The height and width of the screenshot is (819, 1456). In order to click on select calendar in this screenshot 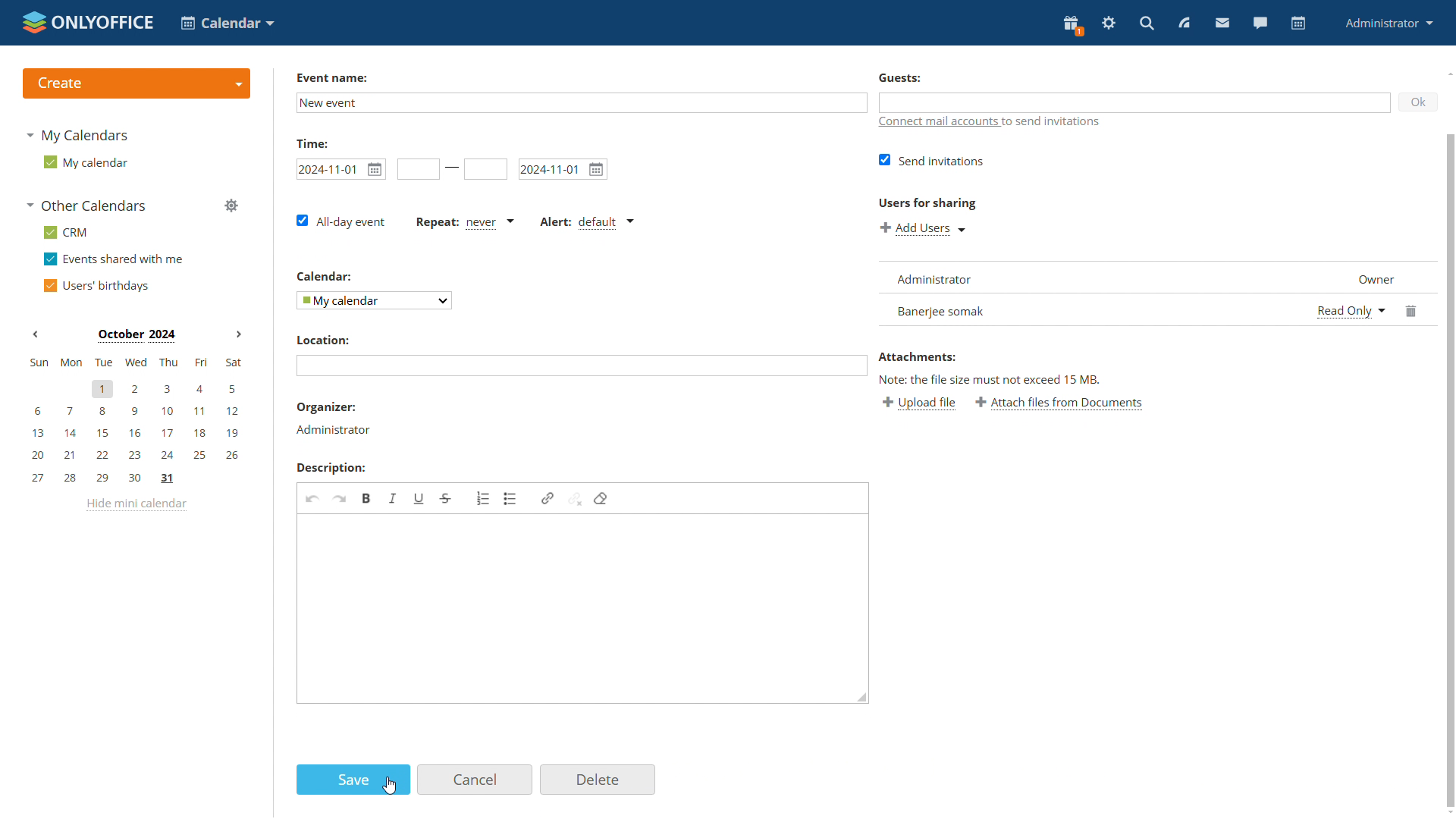, I will do `click(374, 300)`.